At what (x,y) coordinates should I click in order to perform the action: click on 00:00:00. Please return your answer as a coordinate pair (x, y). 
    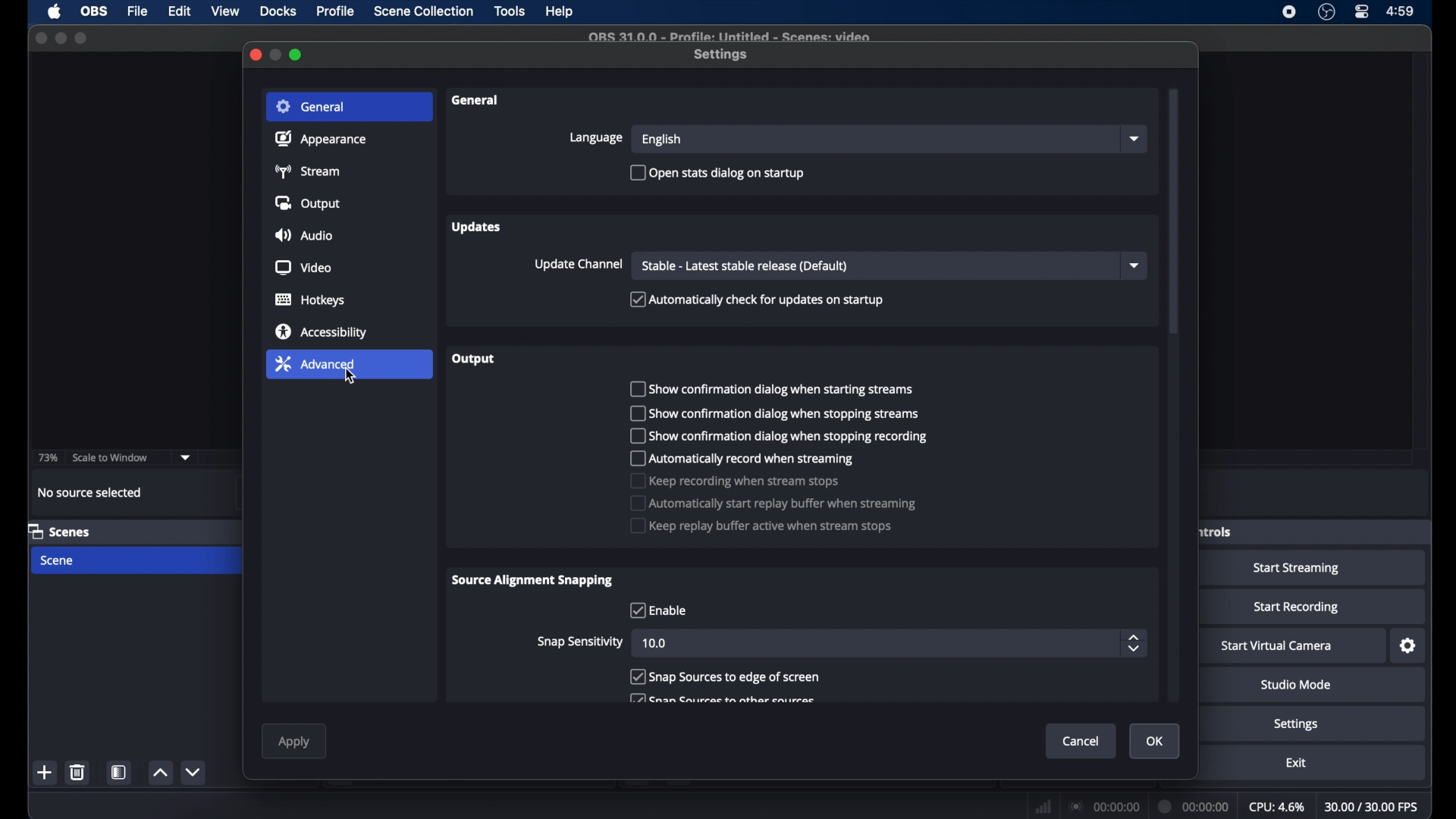
    Looking at the image, I should click on (1195, 807).